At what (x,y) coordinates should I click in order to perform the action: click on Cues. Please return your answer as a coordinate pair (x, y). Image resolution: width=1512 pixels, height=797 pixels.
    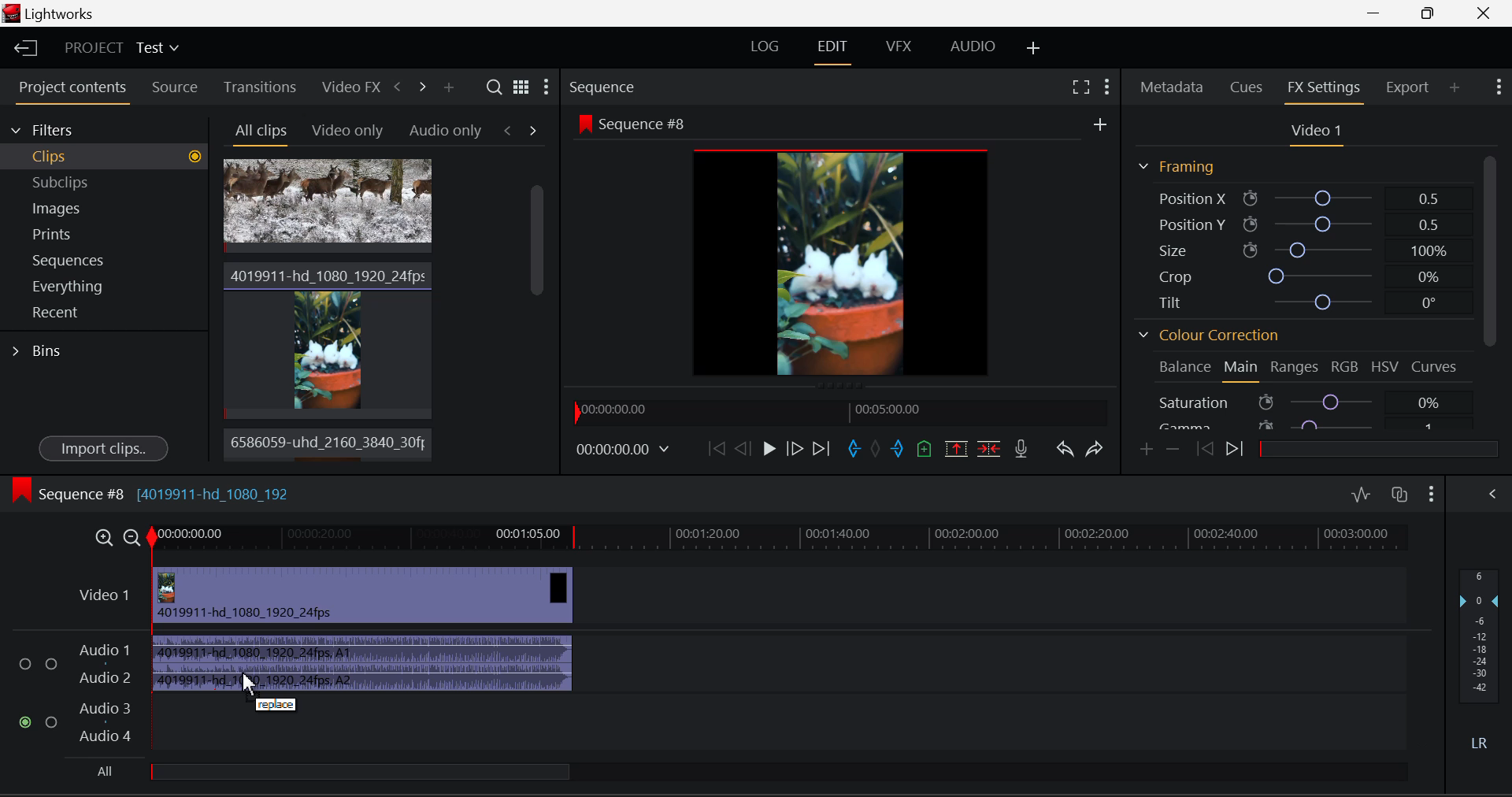
    Looking at the image, I should click on (1249, 85).